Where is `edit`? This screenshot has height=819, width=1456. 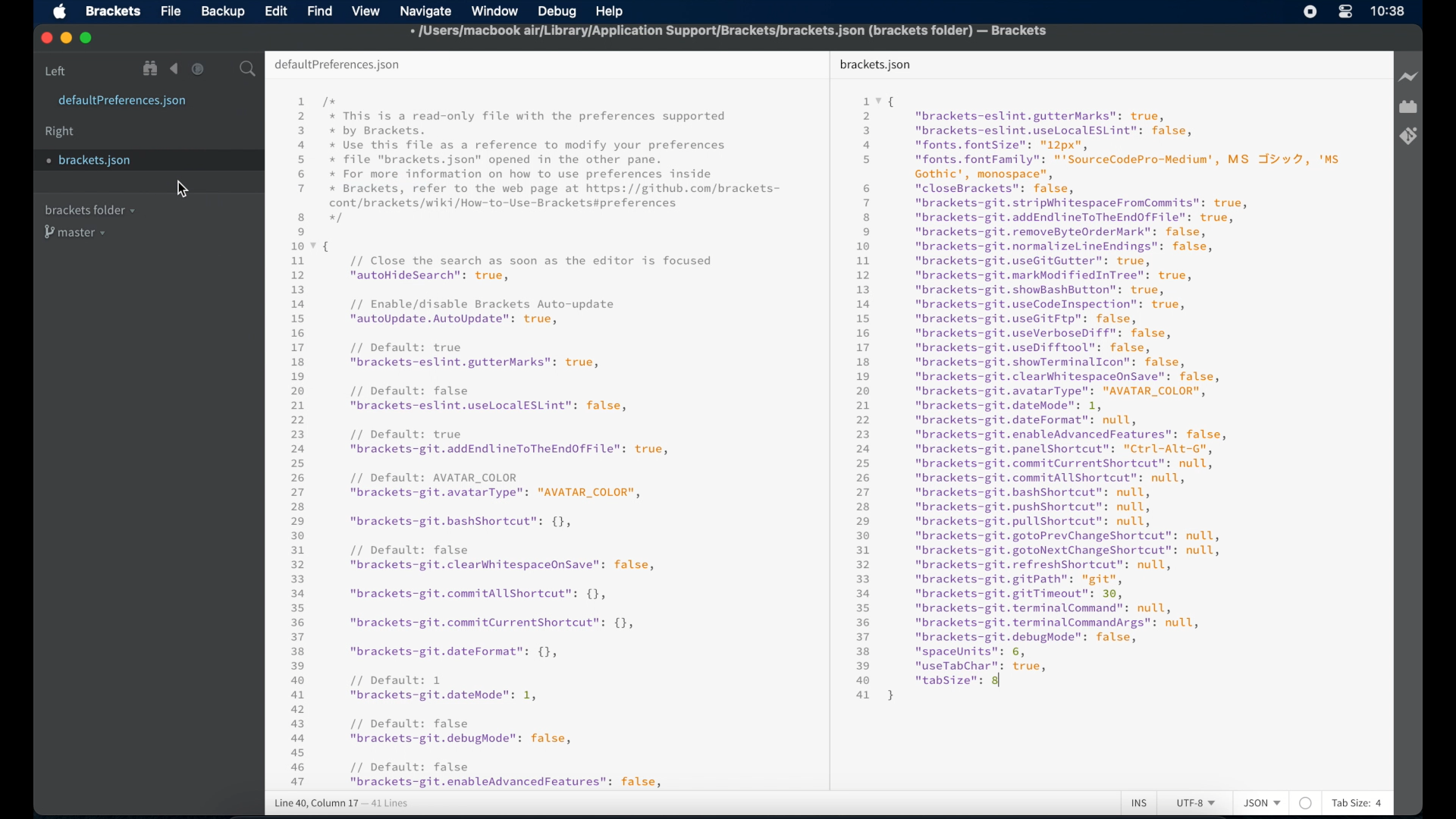
edit is located at coordinates (275, 11).